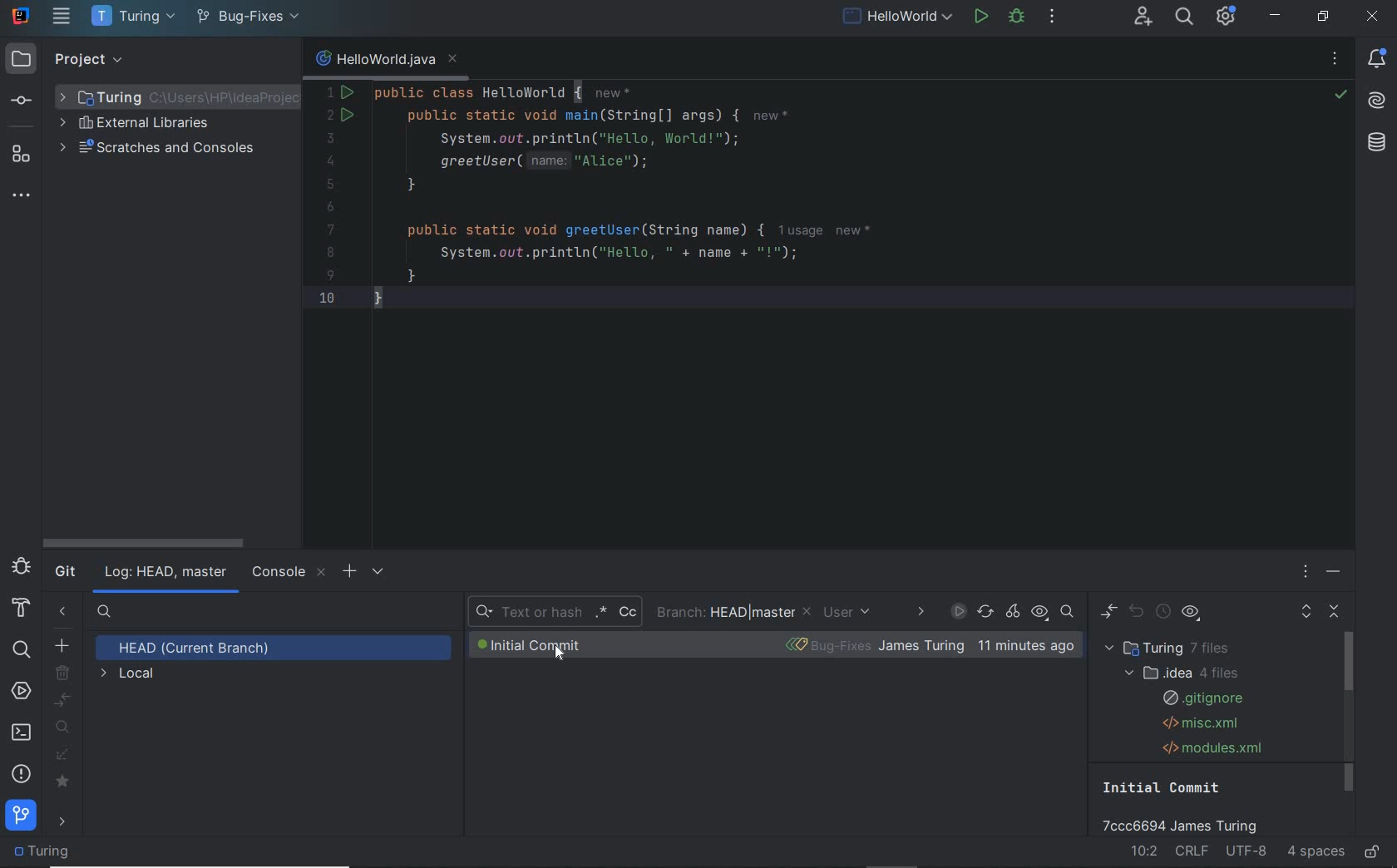 The height and width of the screenshot is (868, 1397). I want to click on main menu, so click(63, 16).